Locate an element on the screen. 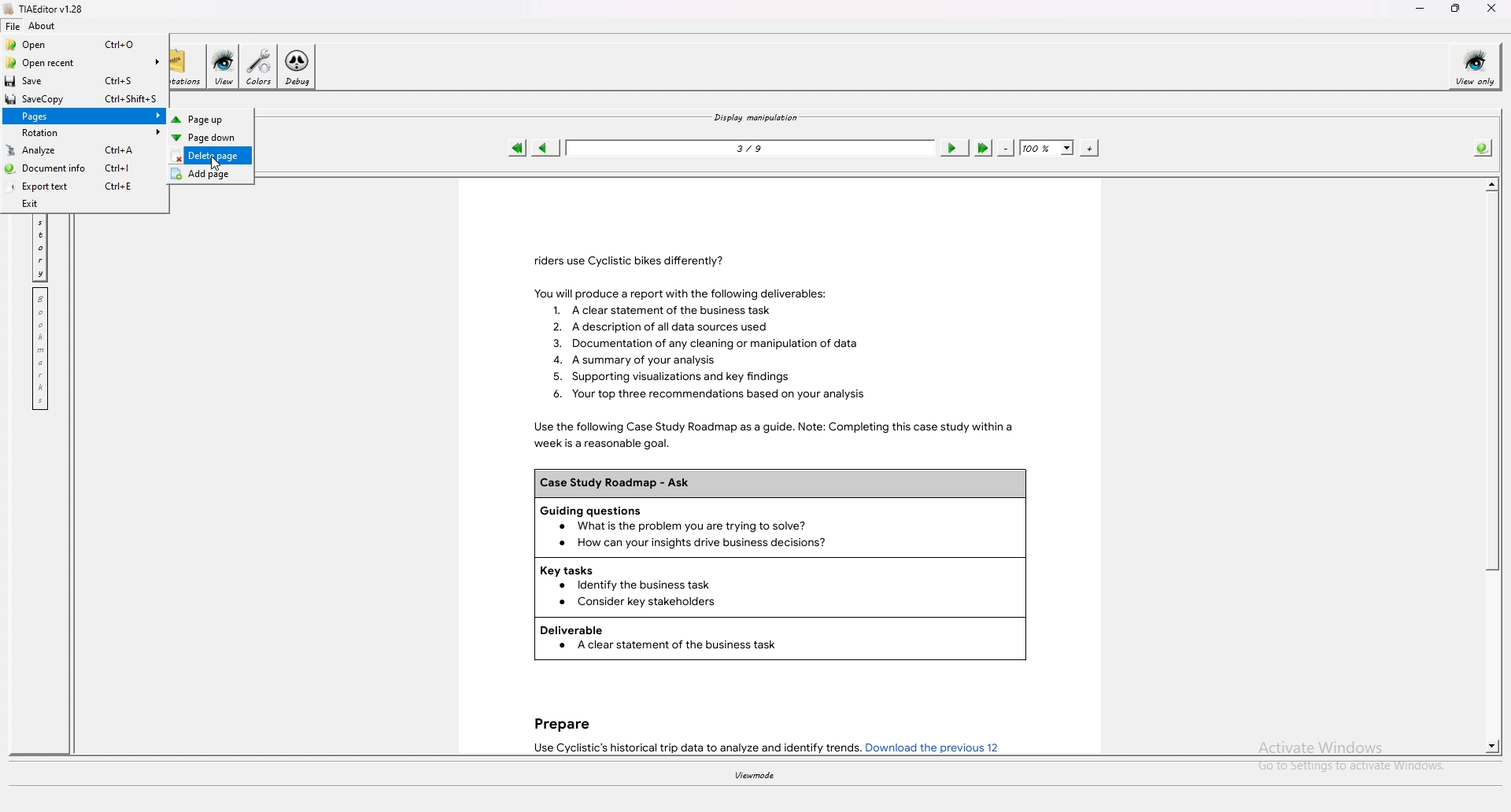 The height and width of the screenshot is (812, 1511). colors is located at coordinates (257, 67).